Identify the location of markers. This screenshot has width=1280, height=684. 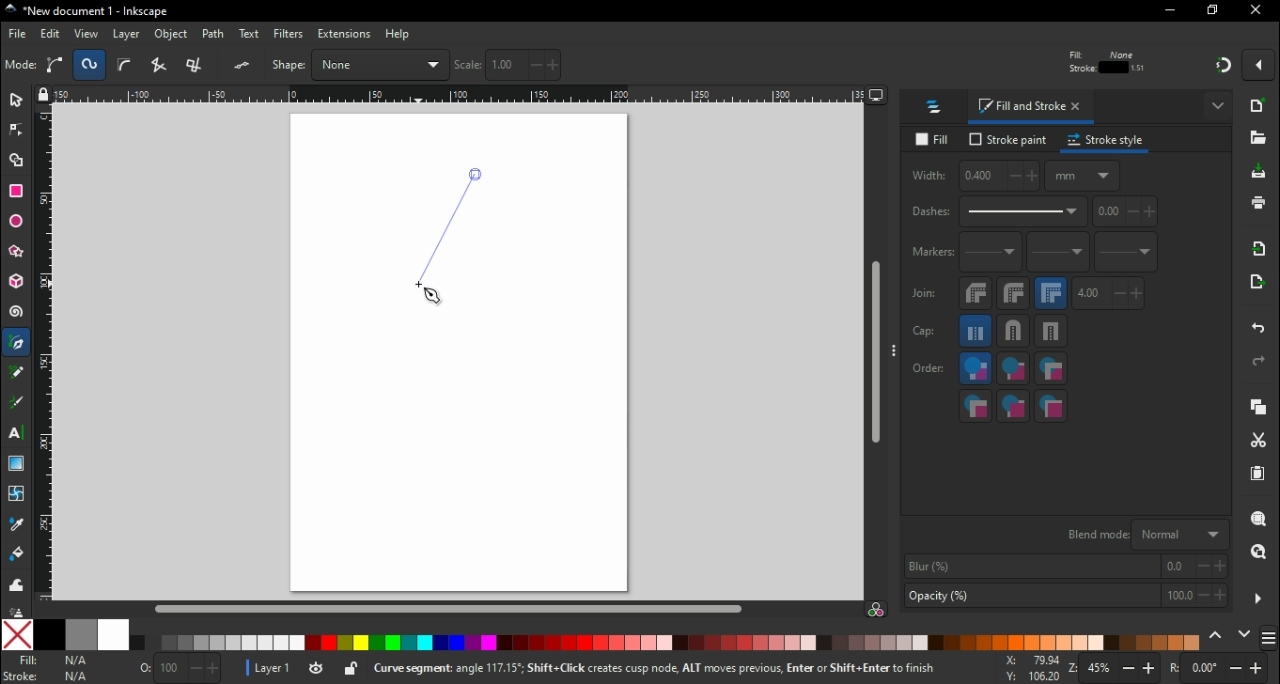
(932, 256).